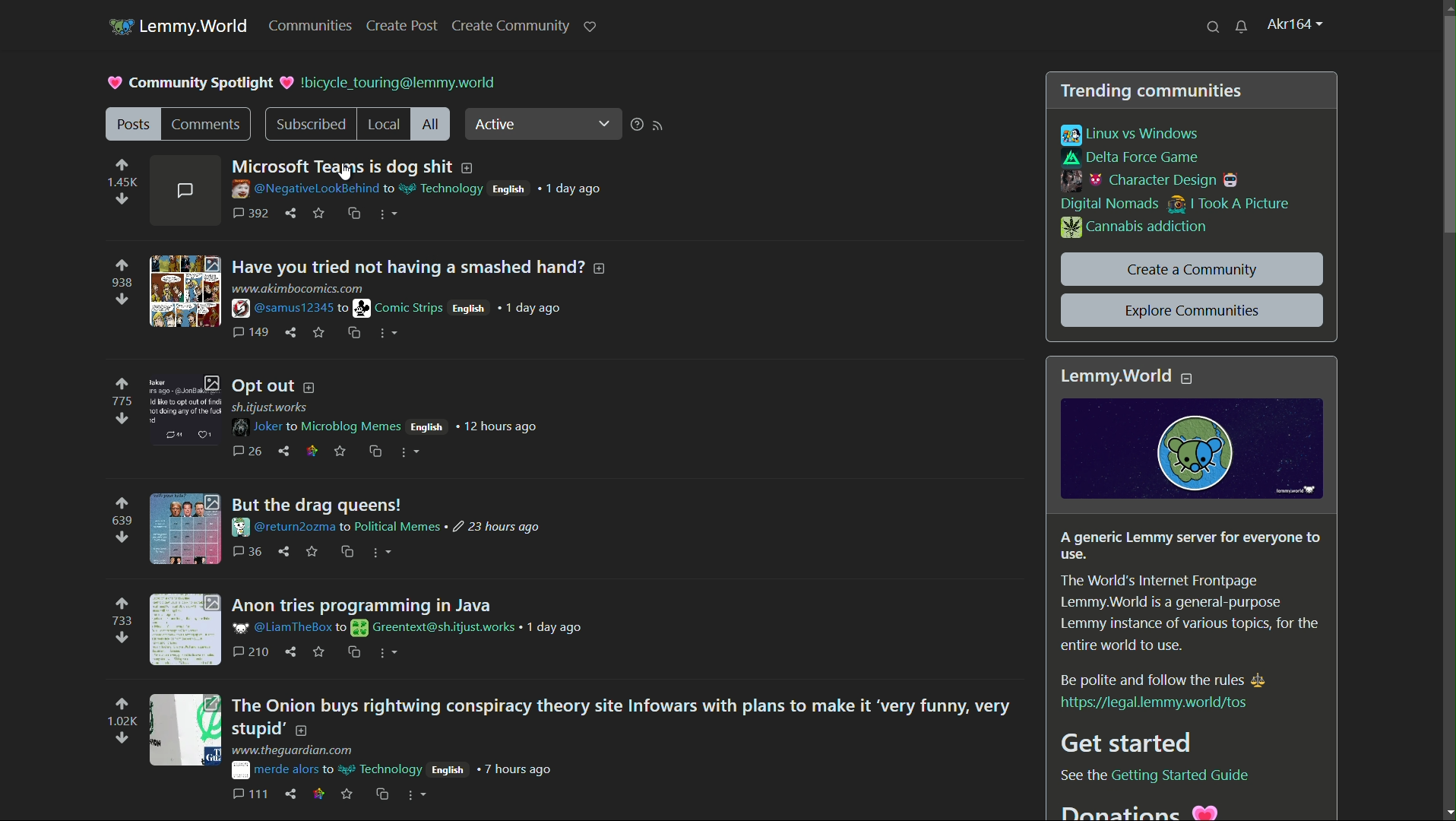 The height and width of the screenshot is (821, 1456). What do you see at coordinates (121, 603) in the screenshot?
I see `upvote` at bounding box center [121, 603].